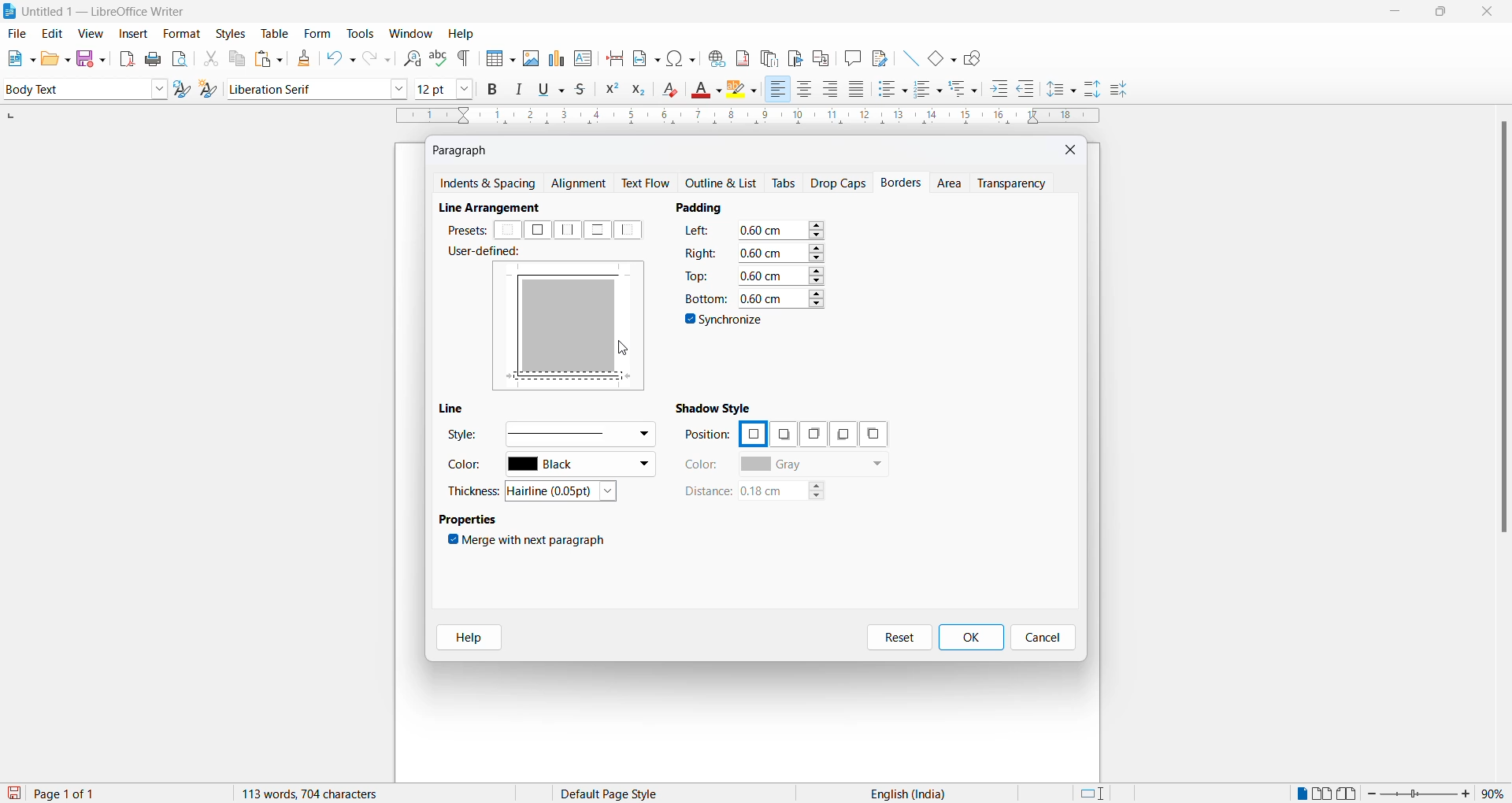 Image resolution: width=1512 pixels, height=803 pixels. What do you see at coordinates (210, 58) in the screenshot?
I see `cut` at bounding box center [210, 58].